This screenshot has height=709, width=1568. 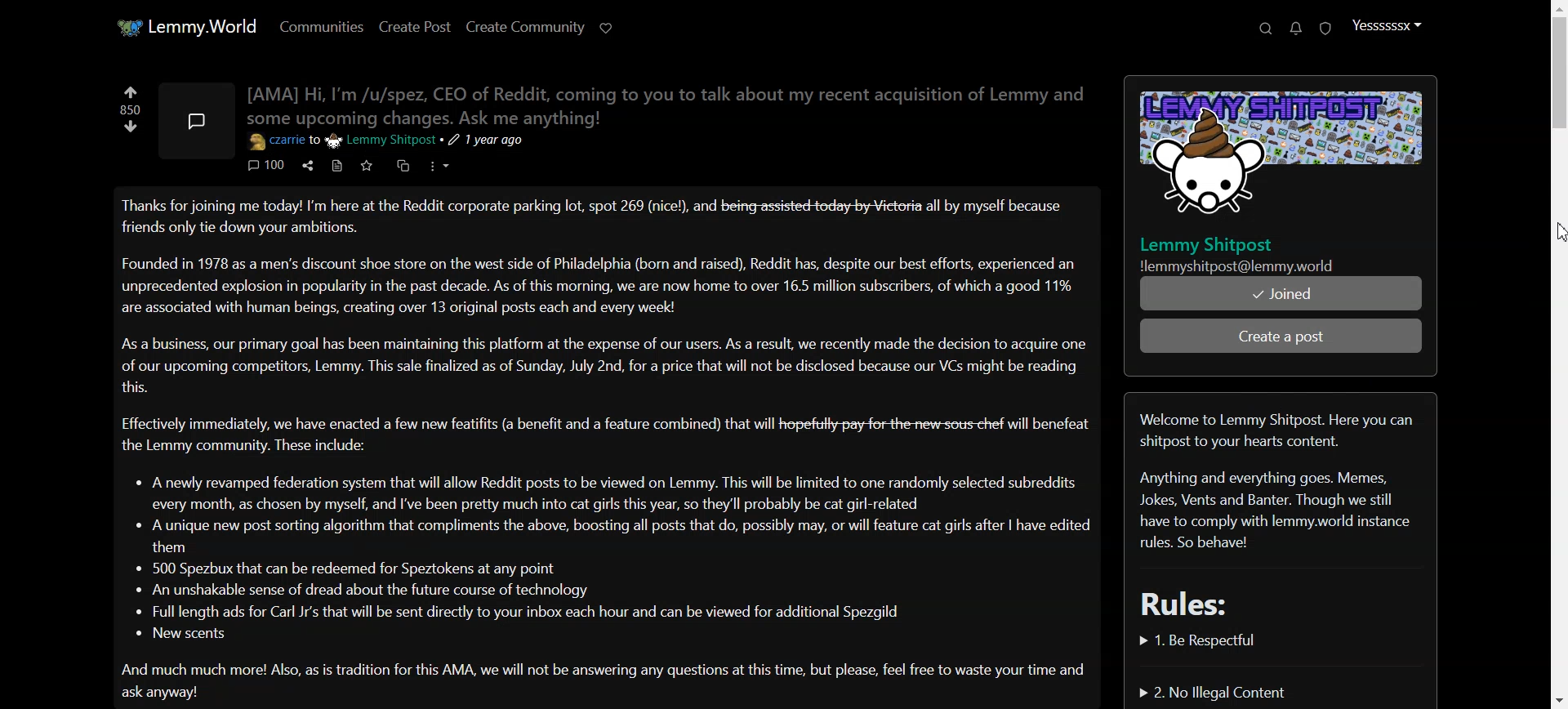 What do you see at coordinates (197, 120) in the screenshot?
I see `Image` at bounding box center [197, 120].